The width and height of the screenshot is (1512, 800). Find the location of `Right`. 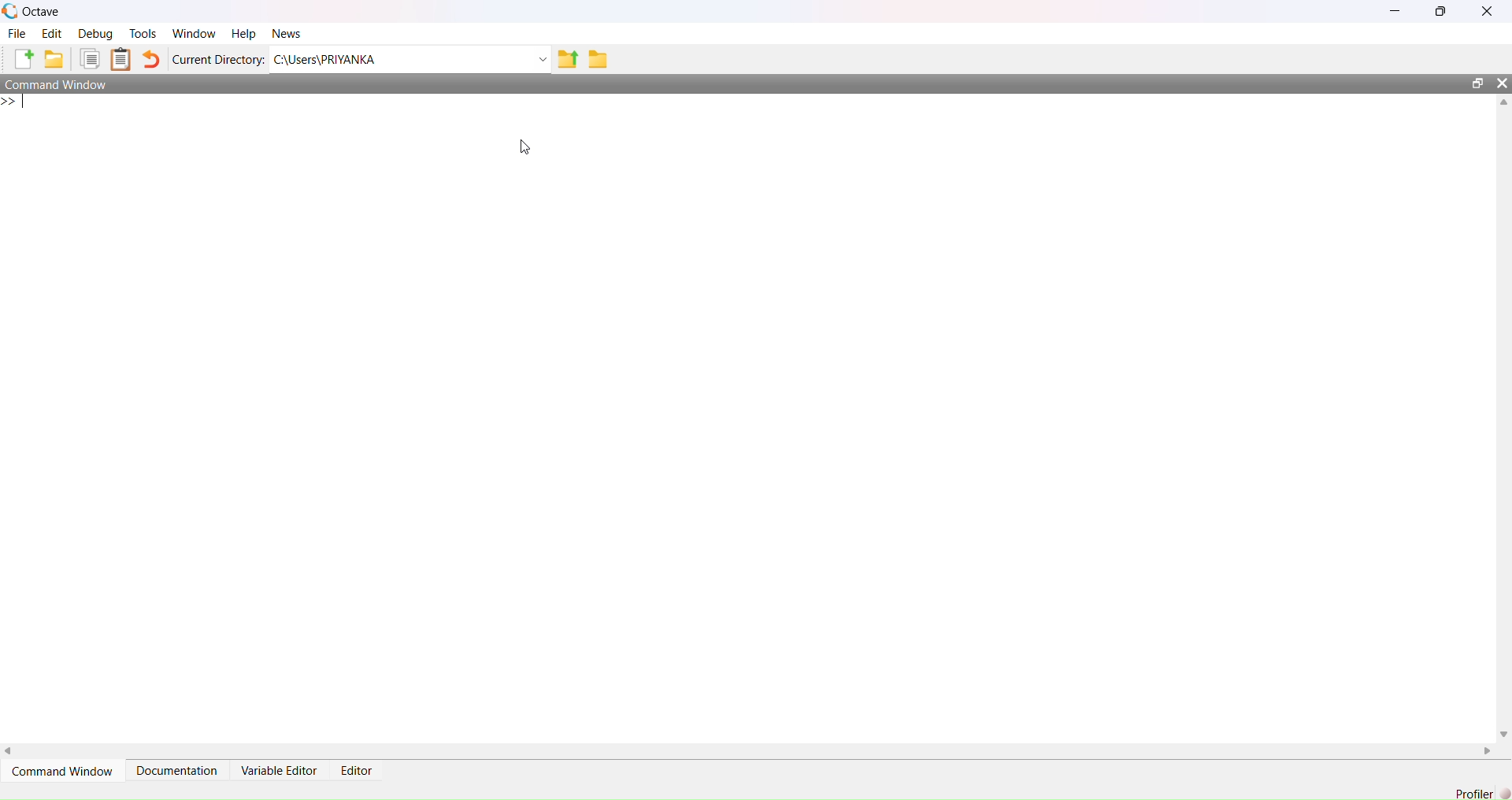

Right is located at coordinates (1490, 750).